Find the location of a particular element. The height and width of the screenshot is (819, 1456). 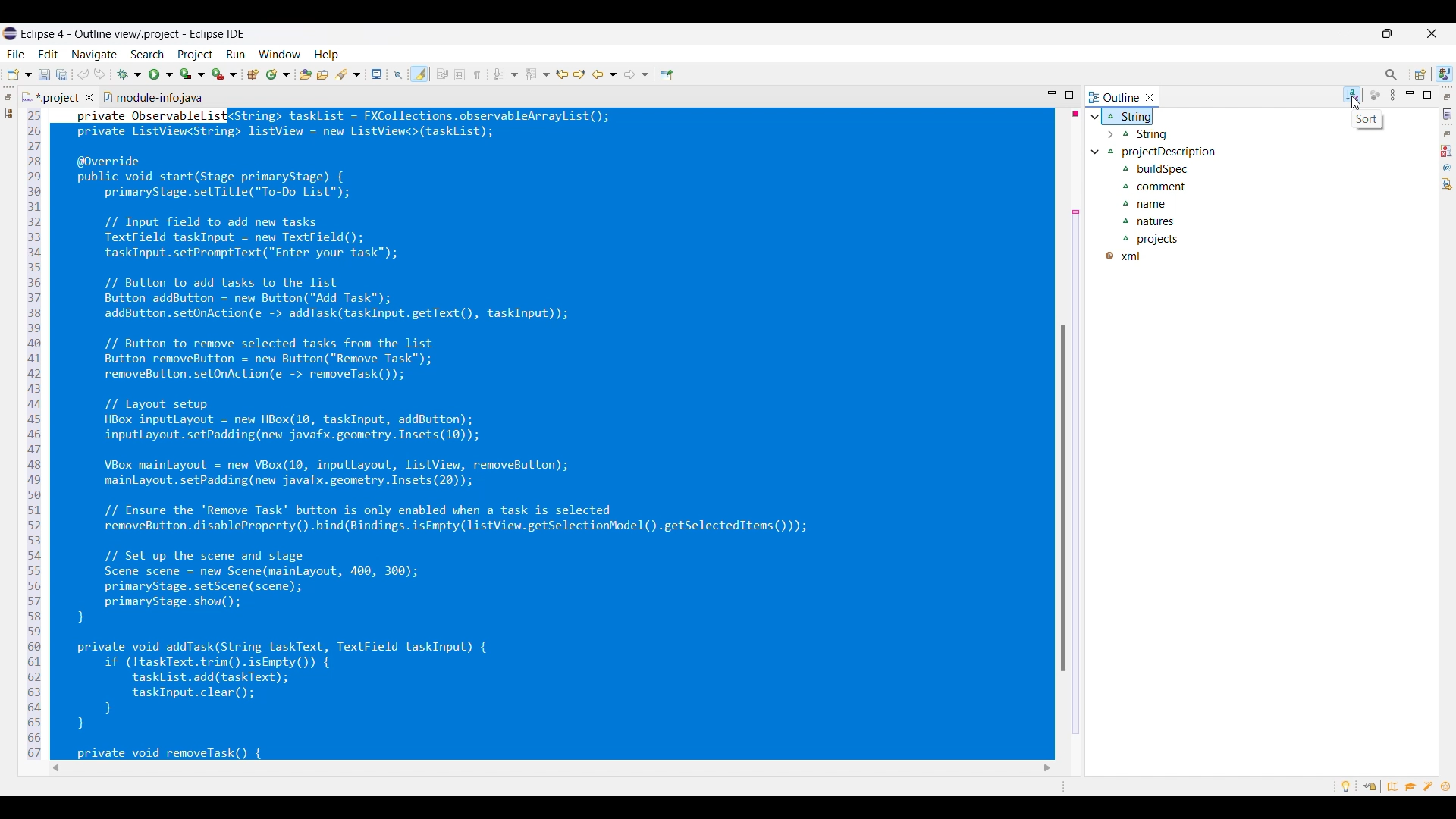

build spec is located at coordinates (1161, 171).